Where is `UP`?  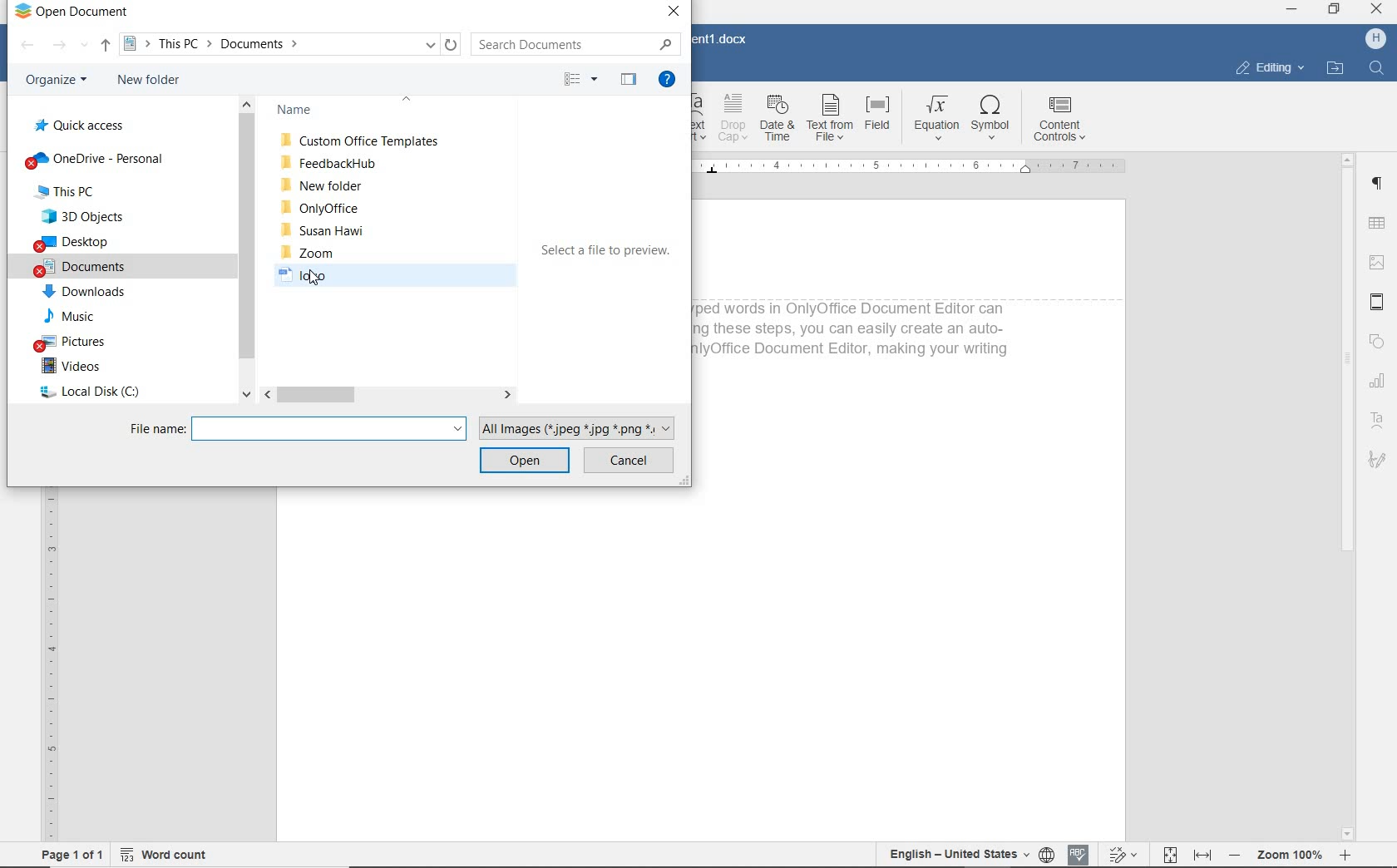
UP is located at coordinates (105, 46).